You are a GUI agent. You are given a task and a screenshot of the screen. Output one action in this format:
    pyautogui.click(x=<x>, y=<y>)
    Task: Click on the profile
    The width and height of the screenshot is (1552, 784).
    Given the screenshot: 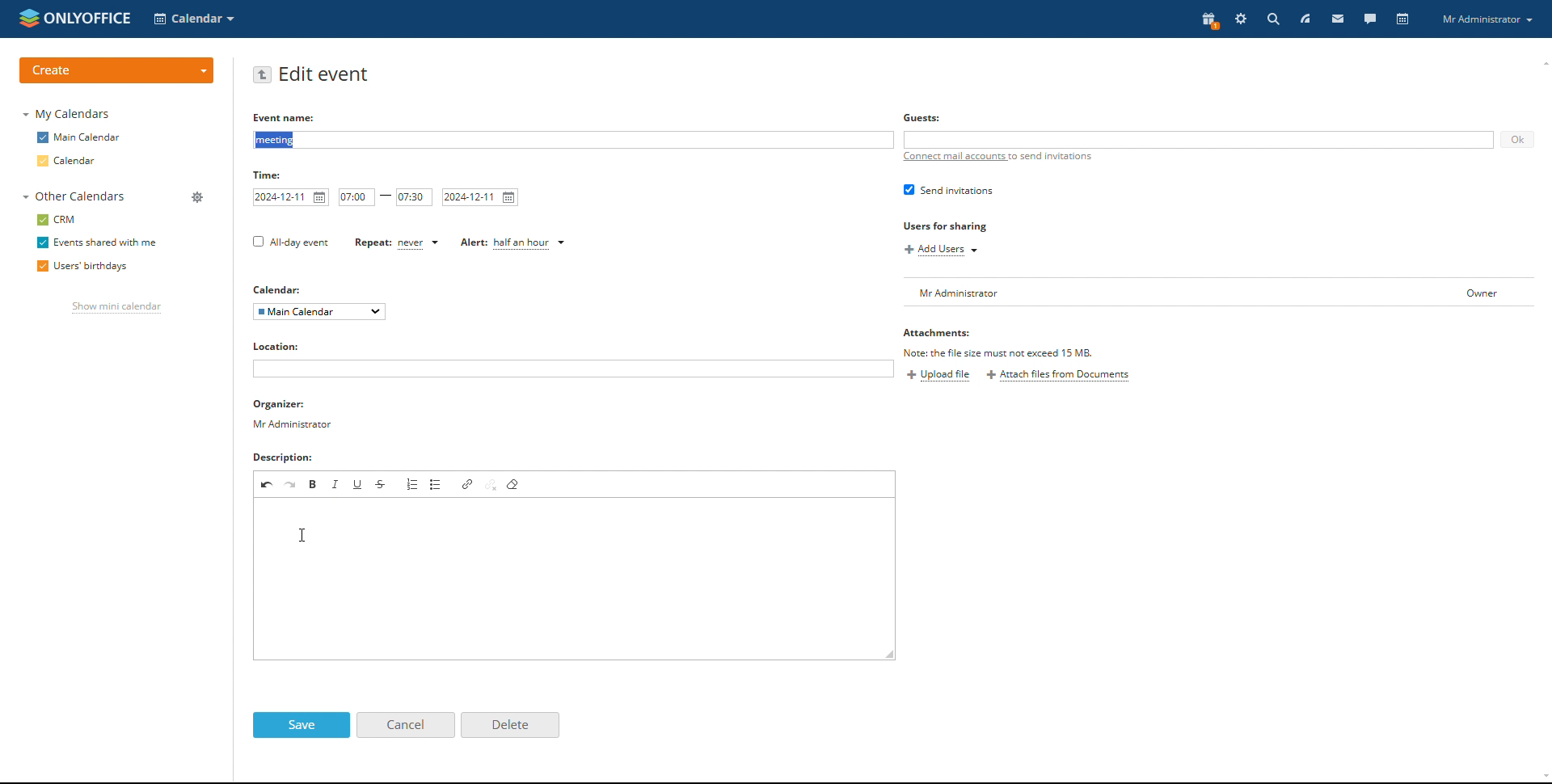 What is the action you would take?
    pyautogui.click(x=1487, y=19)
    